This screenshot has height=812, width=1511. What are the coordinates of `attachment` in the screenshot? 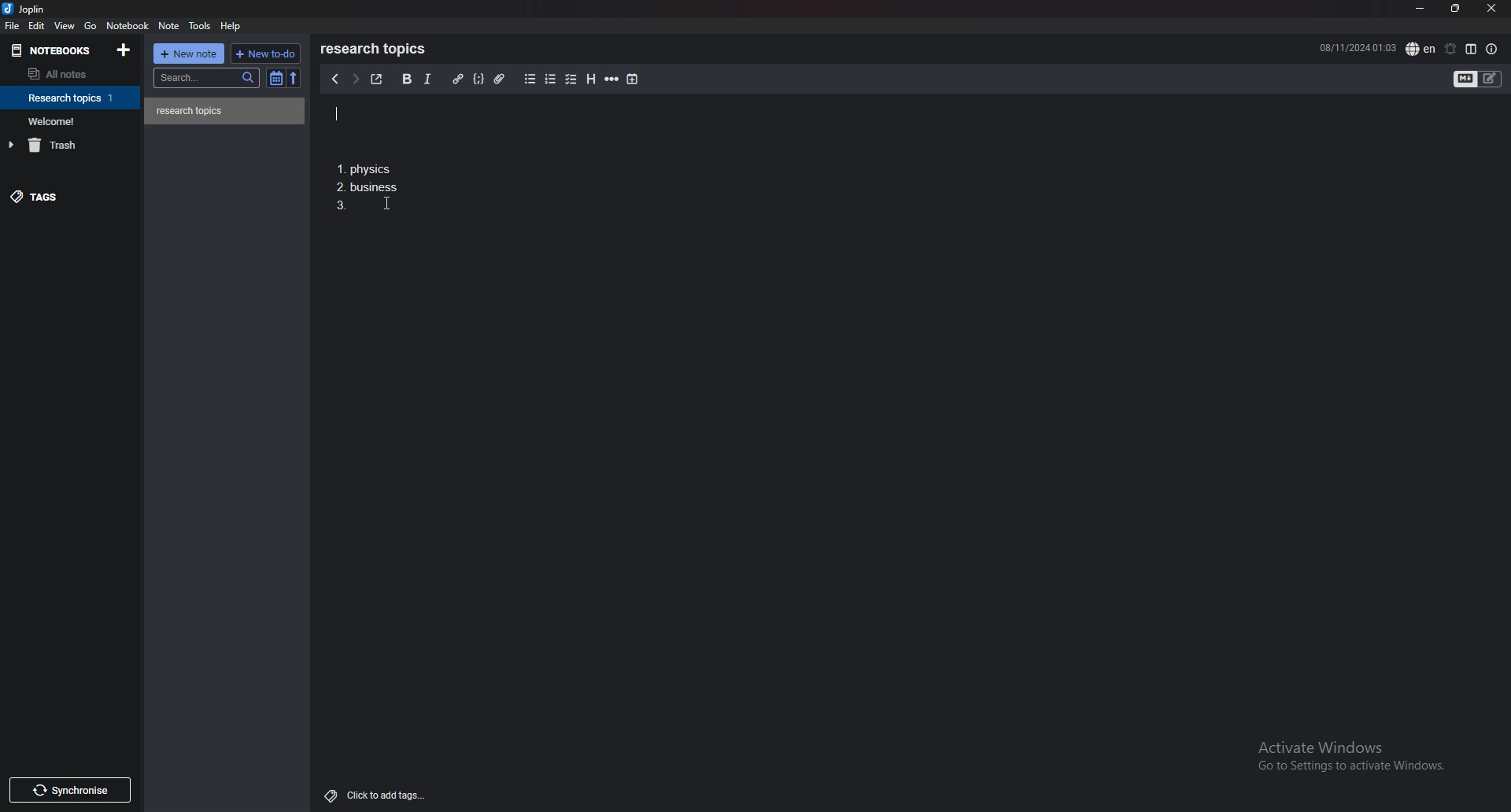 It's located at (499, 78).